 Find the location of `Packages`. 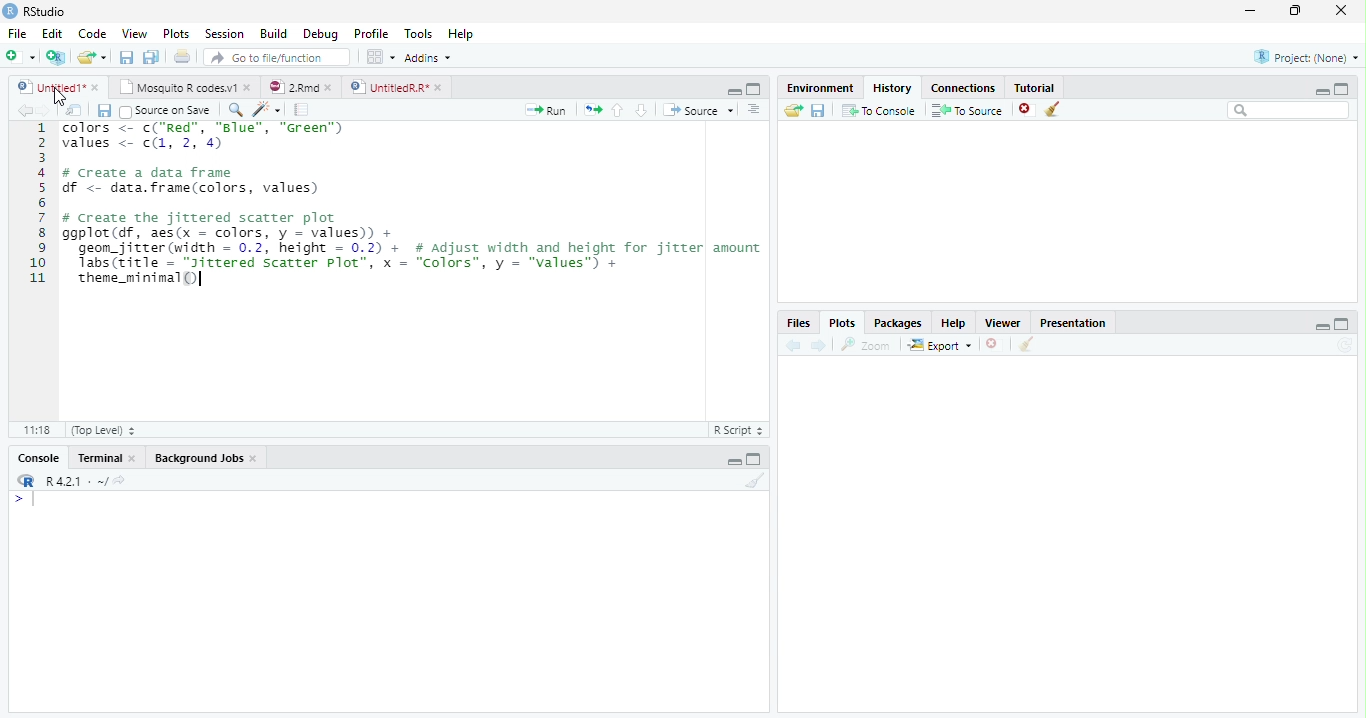

Packages is located at coordinates (896, 322).